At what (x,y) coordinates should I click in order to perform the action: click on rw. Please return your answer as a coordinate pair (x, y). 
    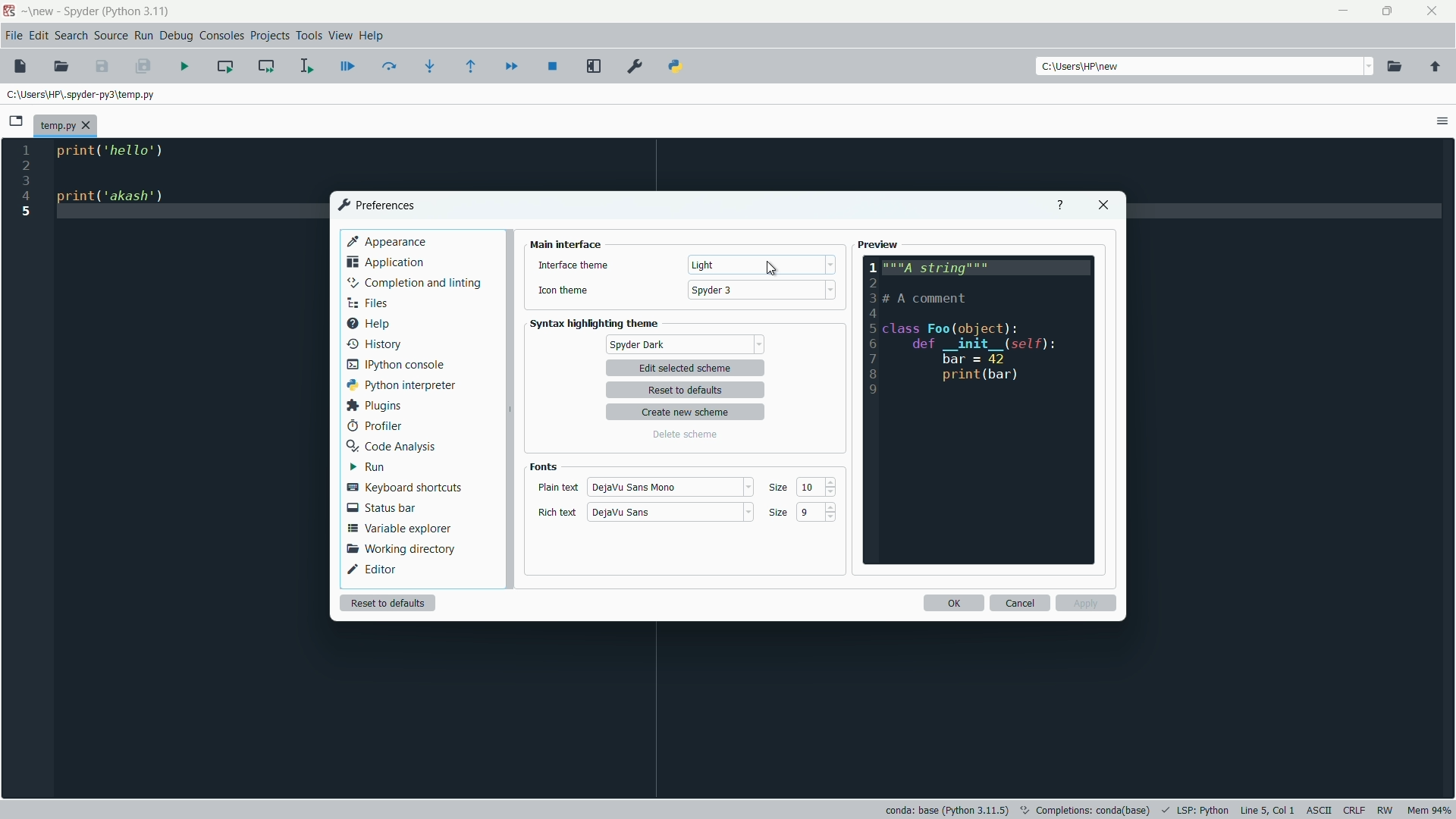
    Looking at the image, I should click on (1387, 810).